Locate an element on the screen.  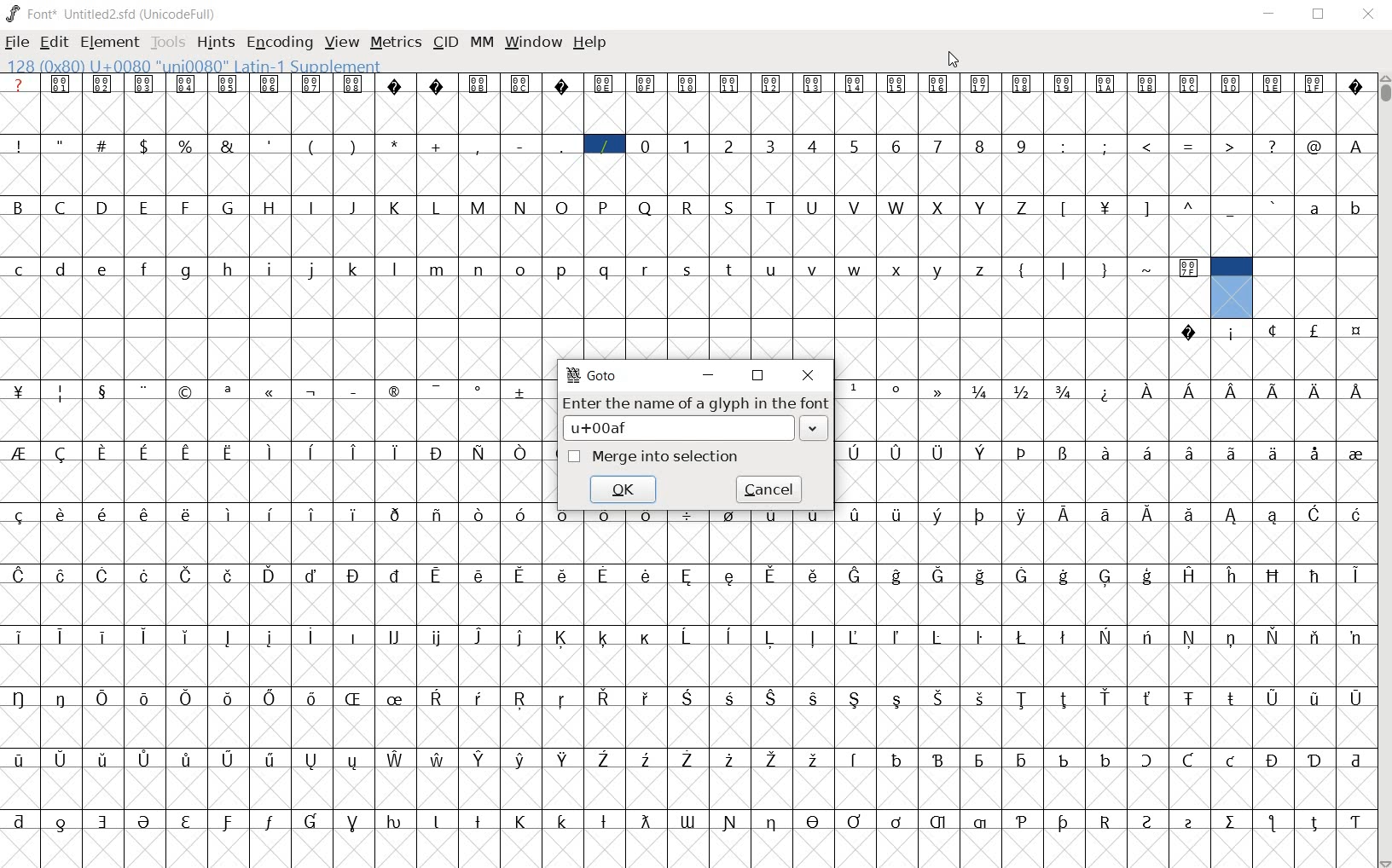
& is located at coordinates (229, 146).